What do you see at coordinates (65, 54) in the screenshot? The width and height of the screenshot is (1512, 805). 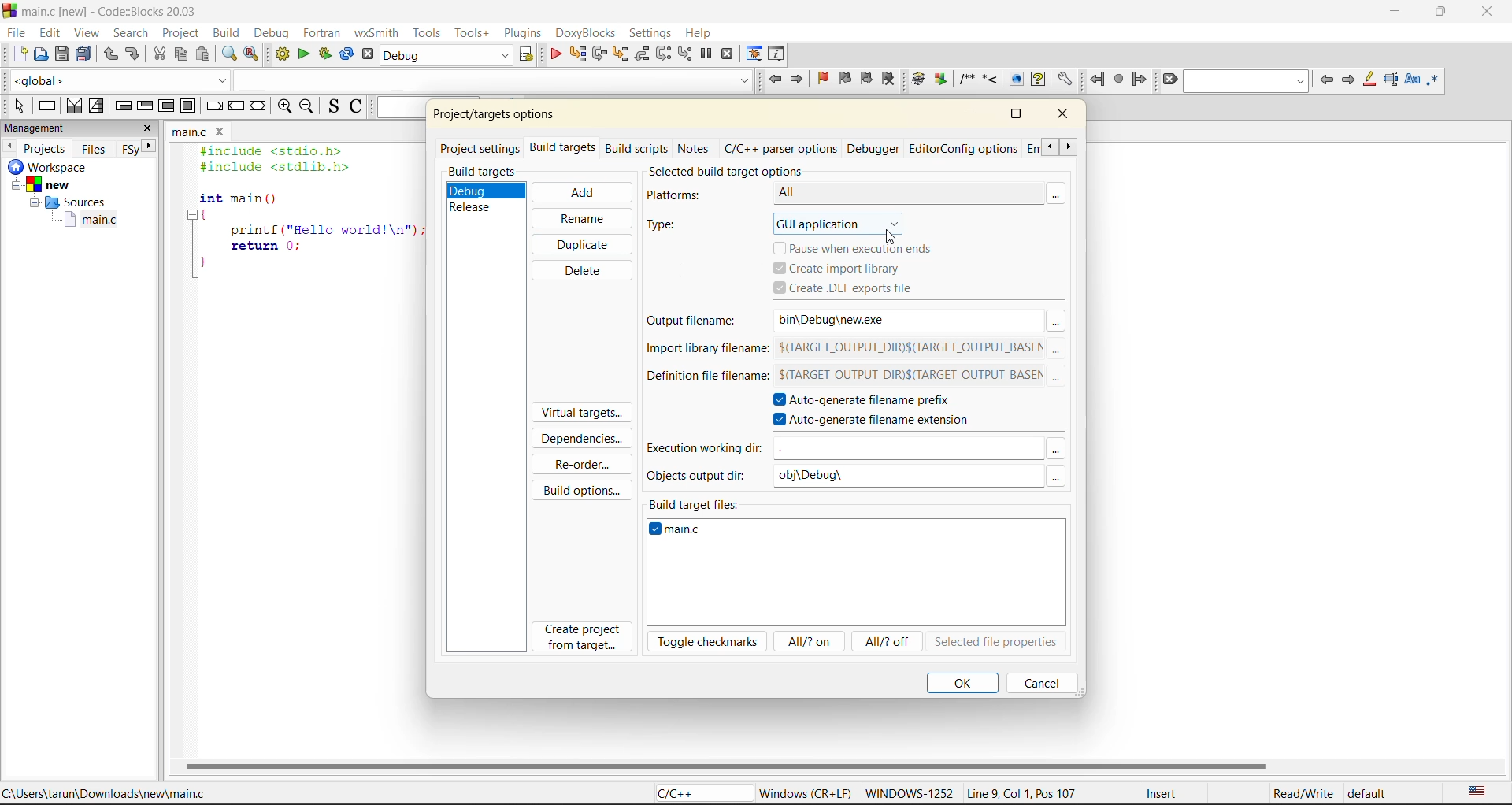 I see `save` at bounding box center [65, 54].